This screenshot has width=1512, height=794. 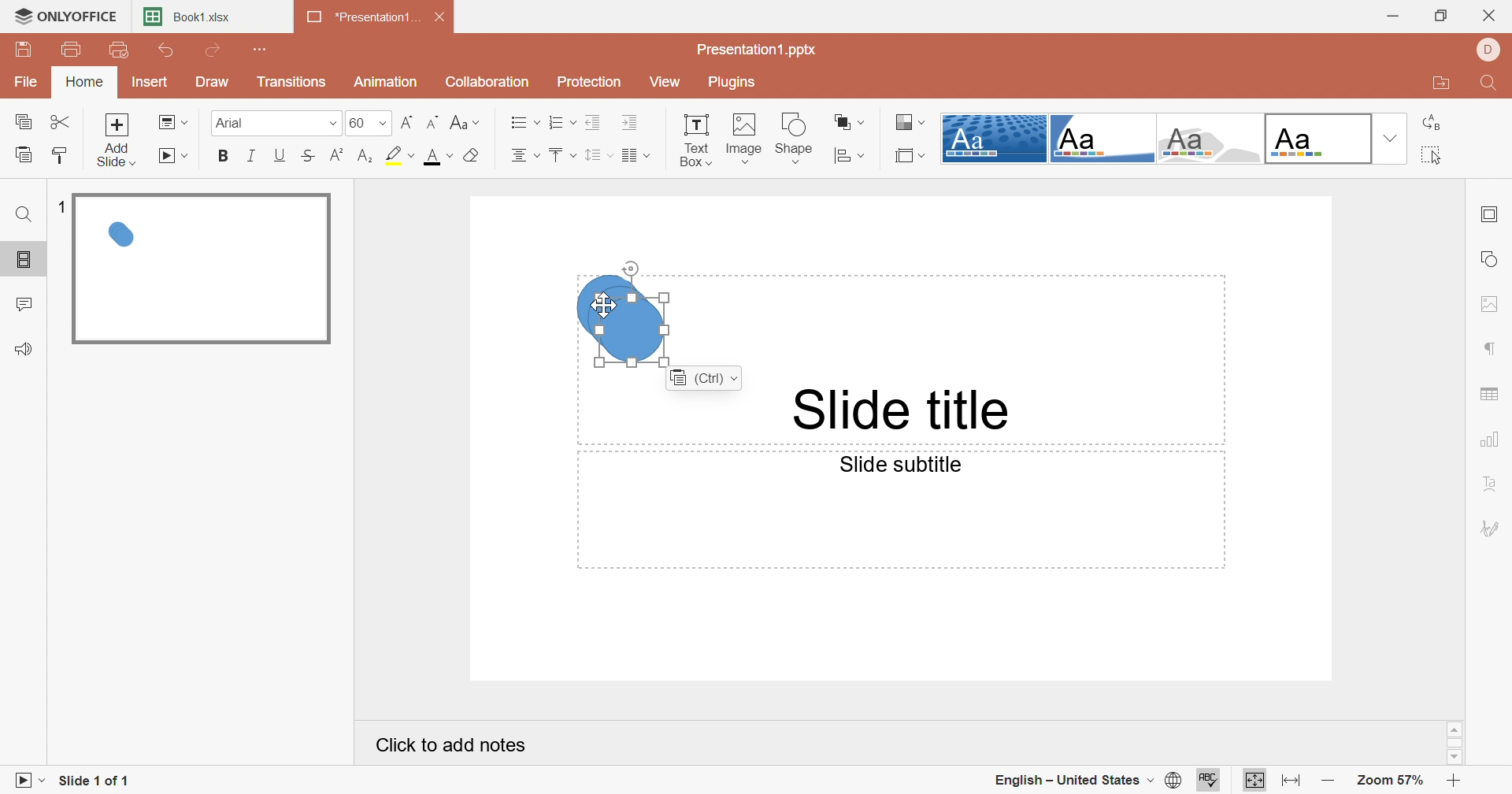 I want to click on Select all, so click(x=1428, y=156).